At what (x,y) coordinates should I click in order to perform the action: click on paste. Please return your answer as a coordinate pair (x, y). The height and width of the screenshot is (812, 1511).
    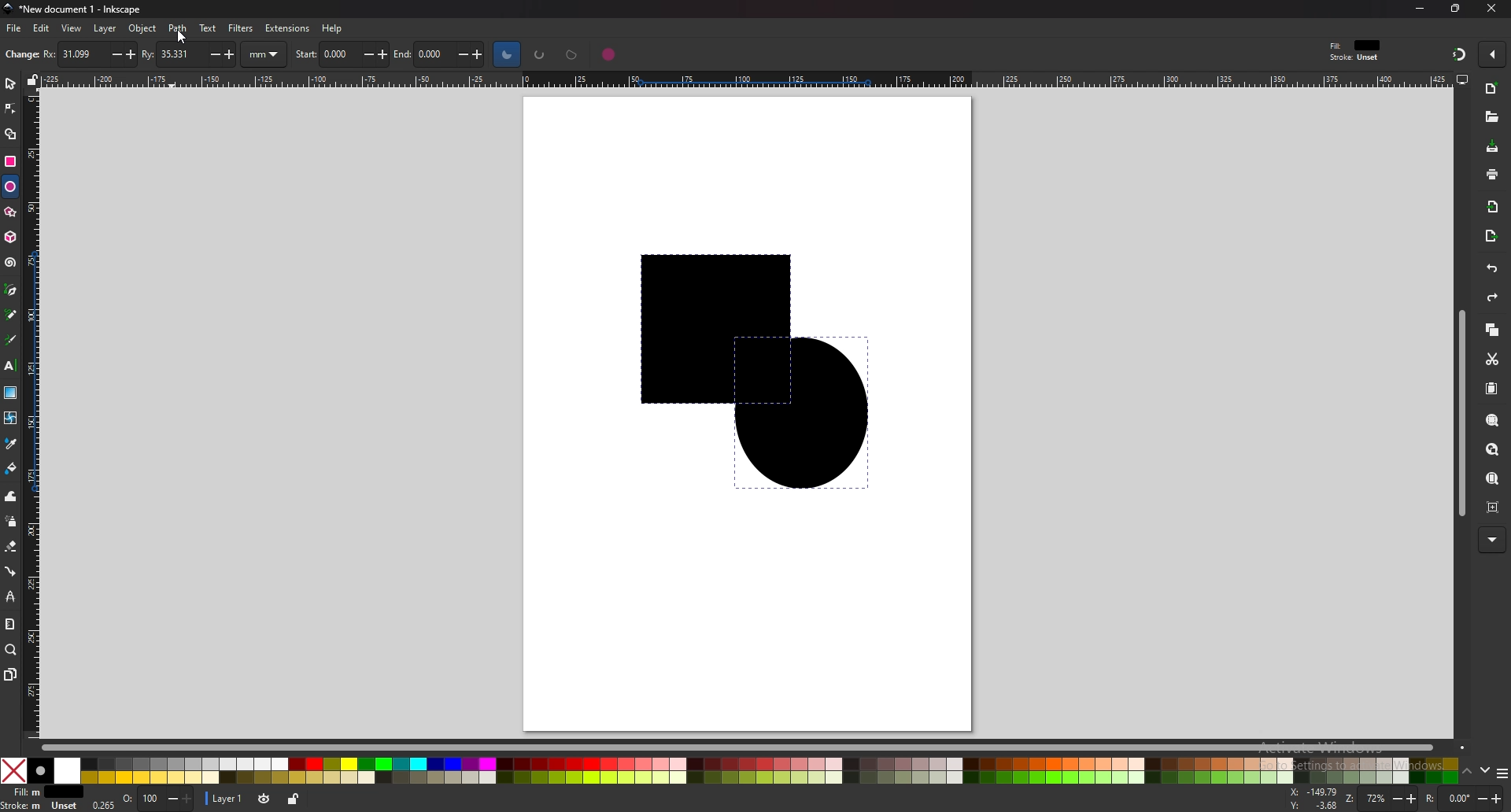
    Looking at the image, I should click on (1492, 387).